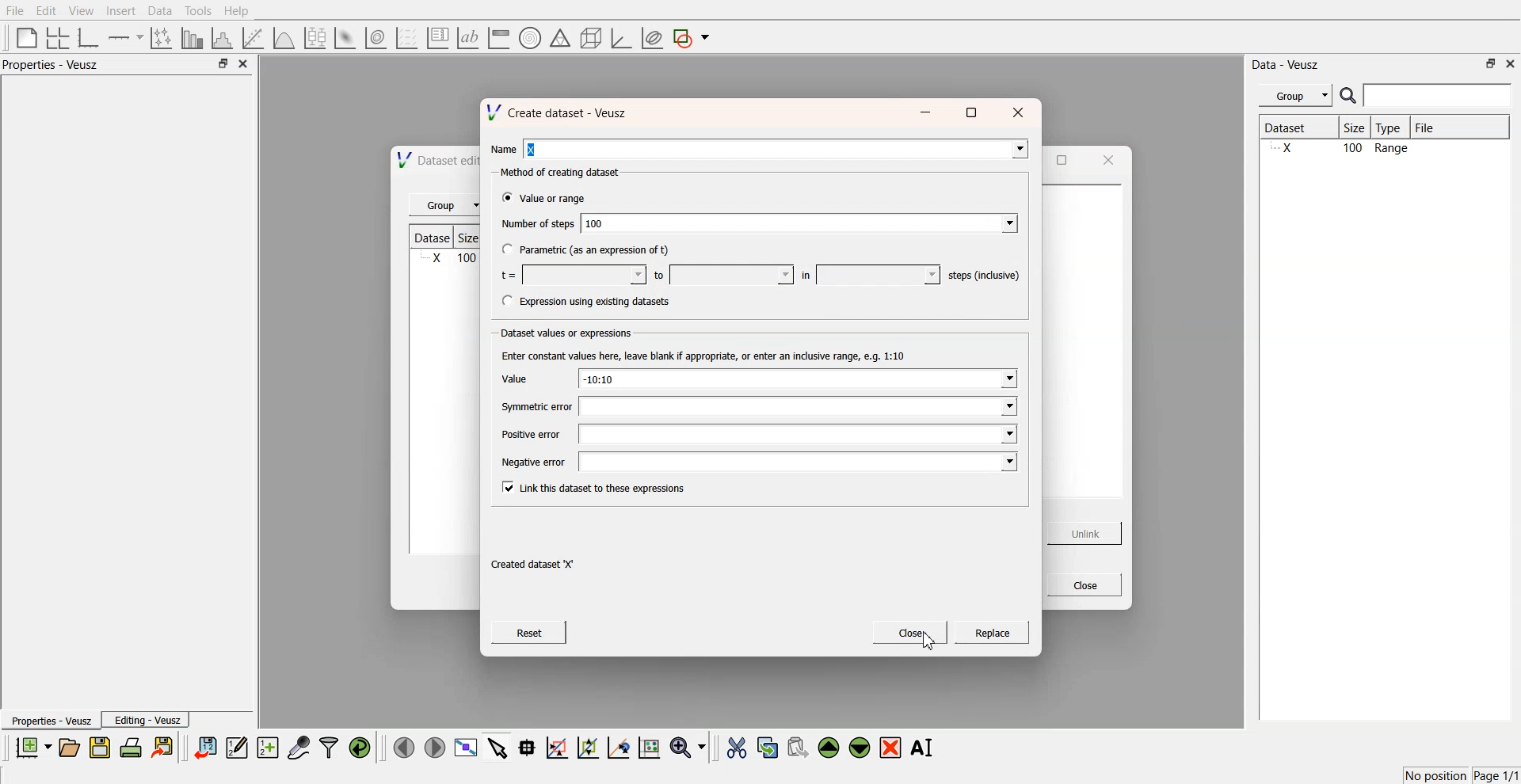 This screenshot has height=784, width=1521. I want to click on Properties - Veusz, so click(55, 65).